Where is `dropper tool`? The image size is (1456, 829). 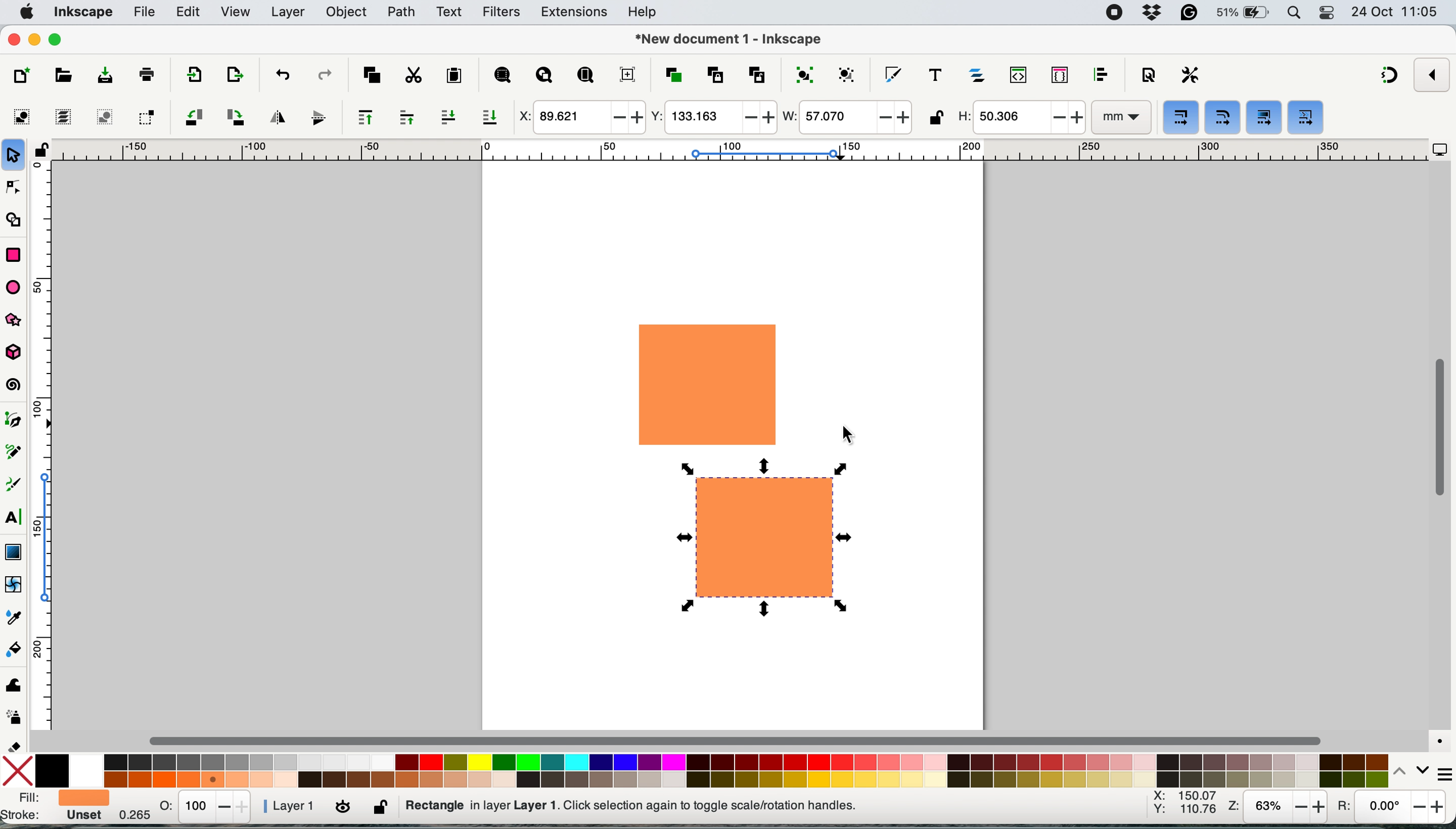
dropper tool is located at coordinates (15, 617).